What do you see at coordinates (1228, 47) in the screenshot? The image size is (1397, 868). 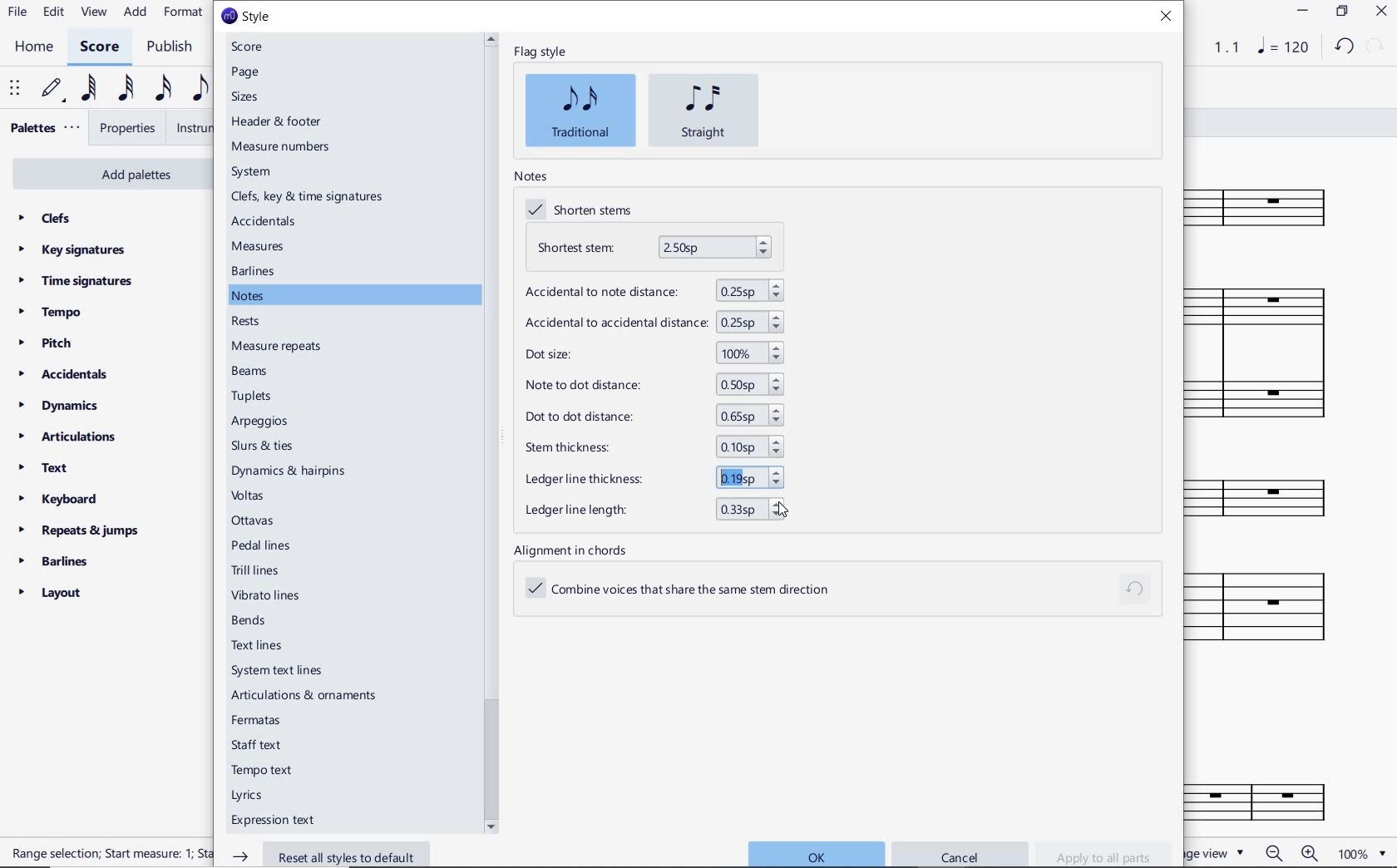 I see `Playback speed` at bounding box center [1228, 47].